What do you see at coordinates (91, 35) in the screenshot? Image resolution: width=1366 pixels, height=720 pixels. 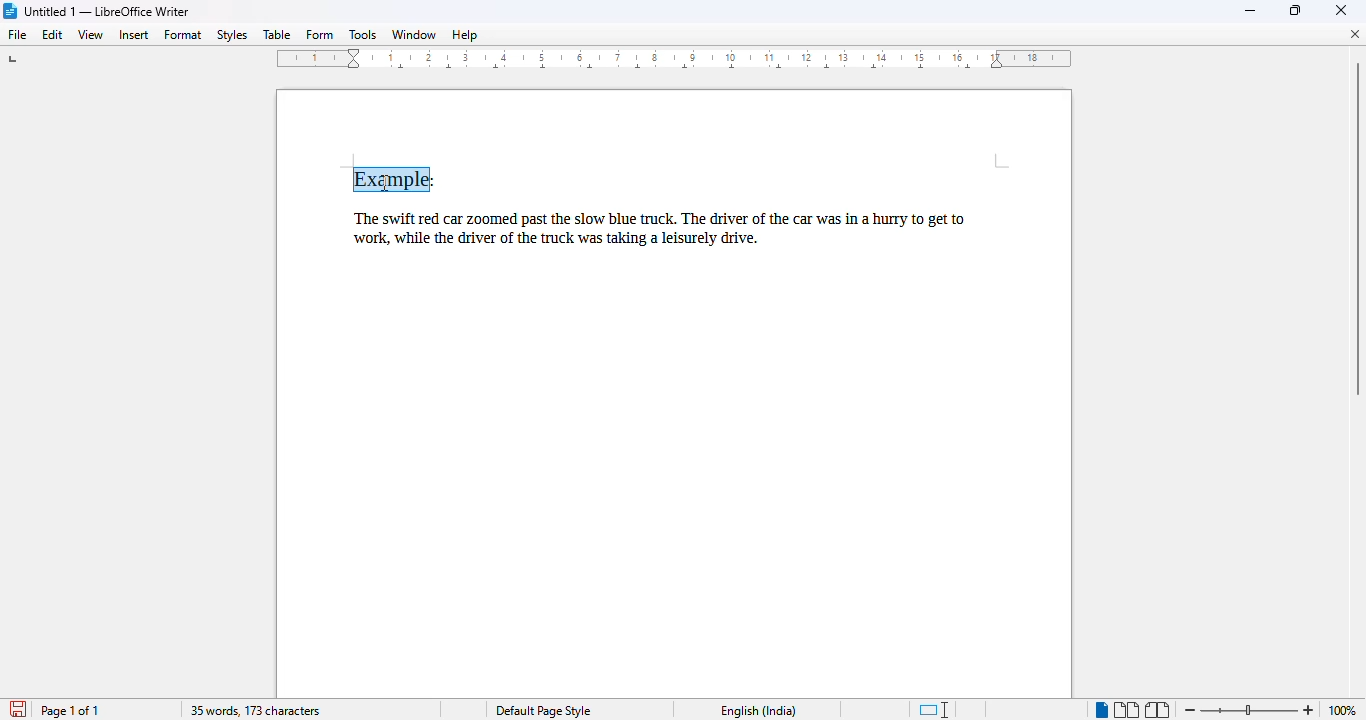 I see `view` at bounding box center [91, 35].